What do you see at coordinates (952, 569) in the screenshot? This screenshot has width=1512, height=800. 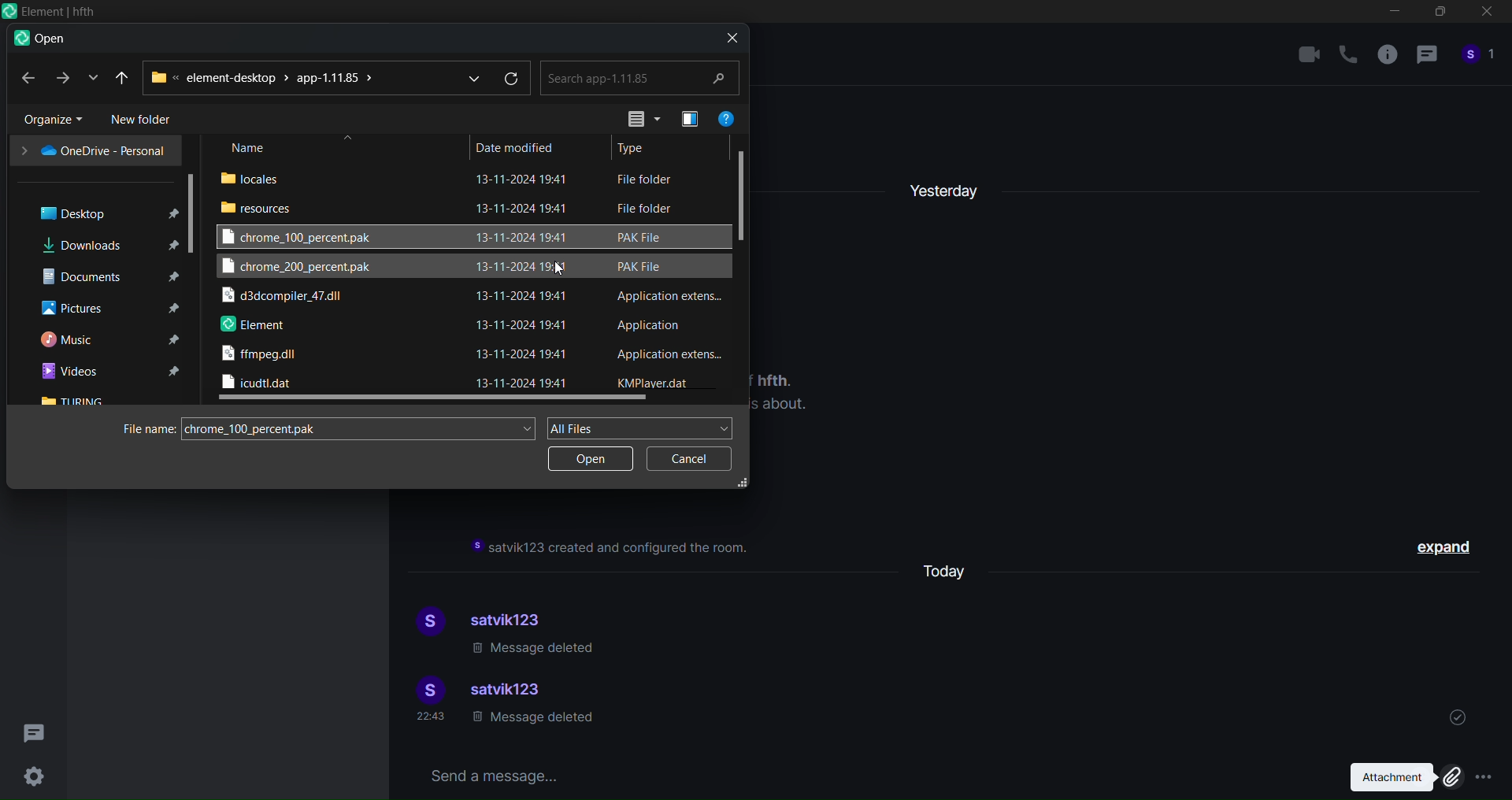 I see `today` at bounding box center [952, 569].